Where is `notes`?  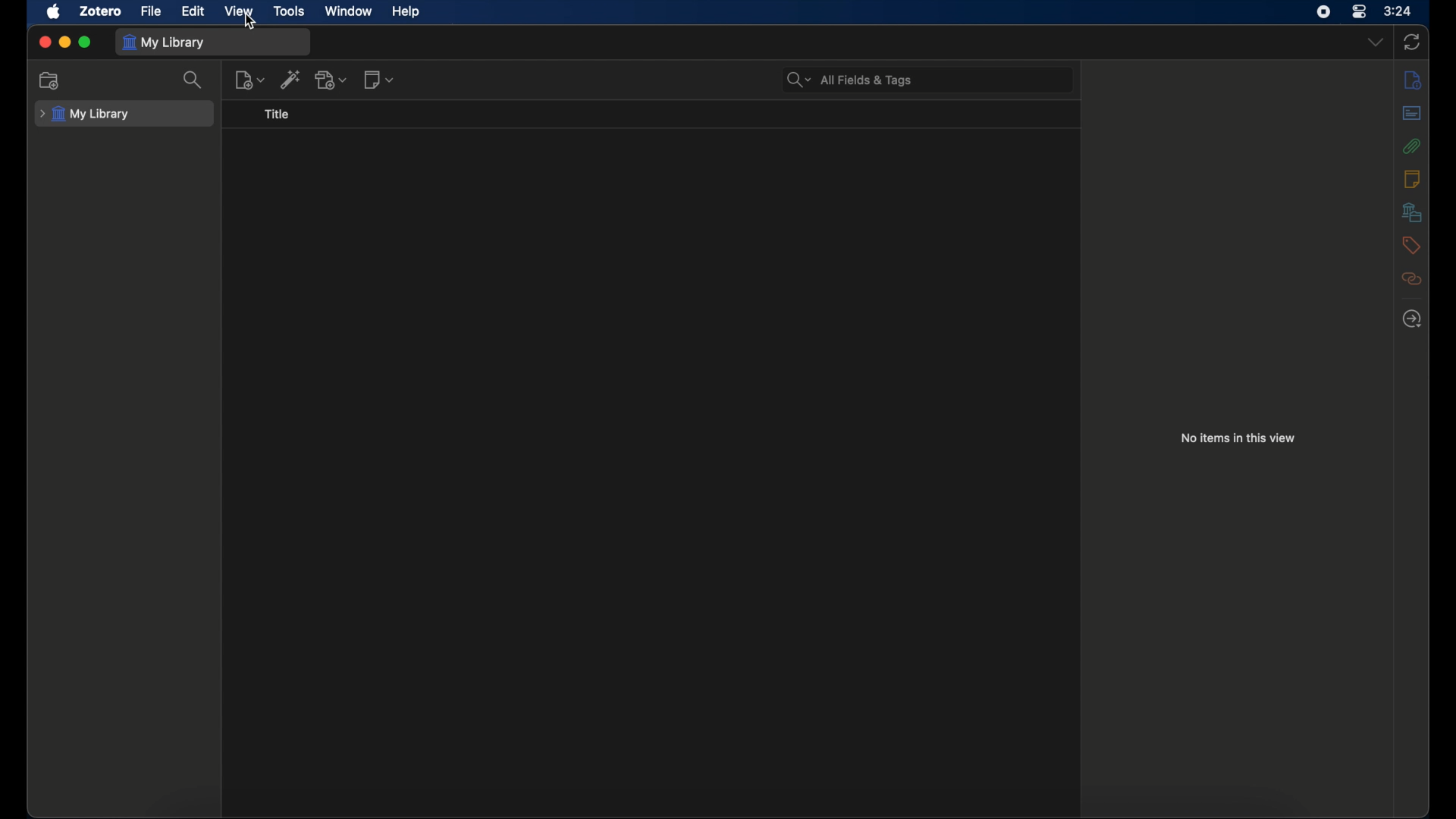
notes is located at coordinates (1412, 178).